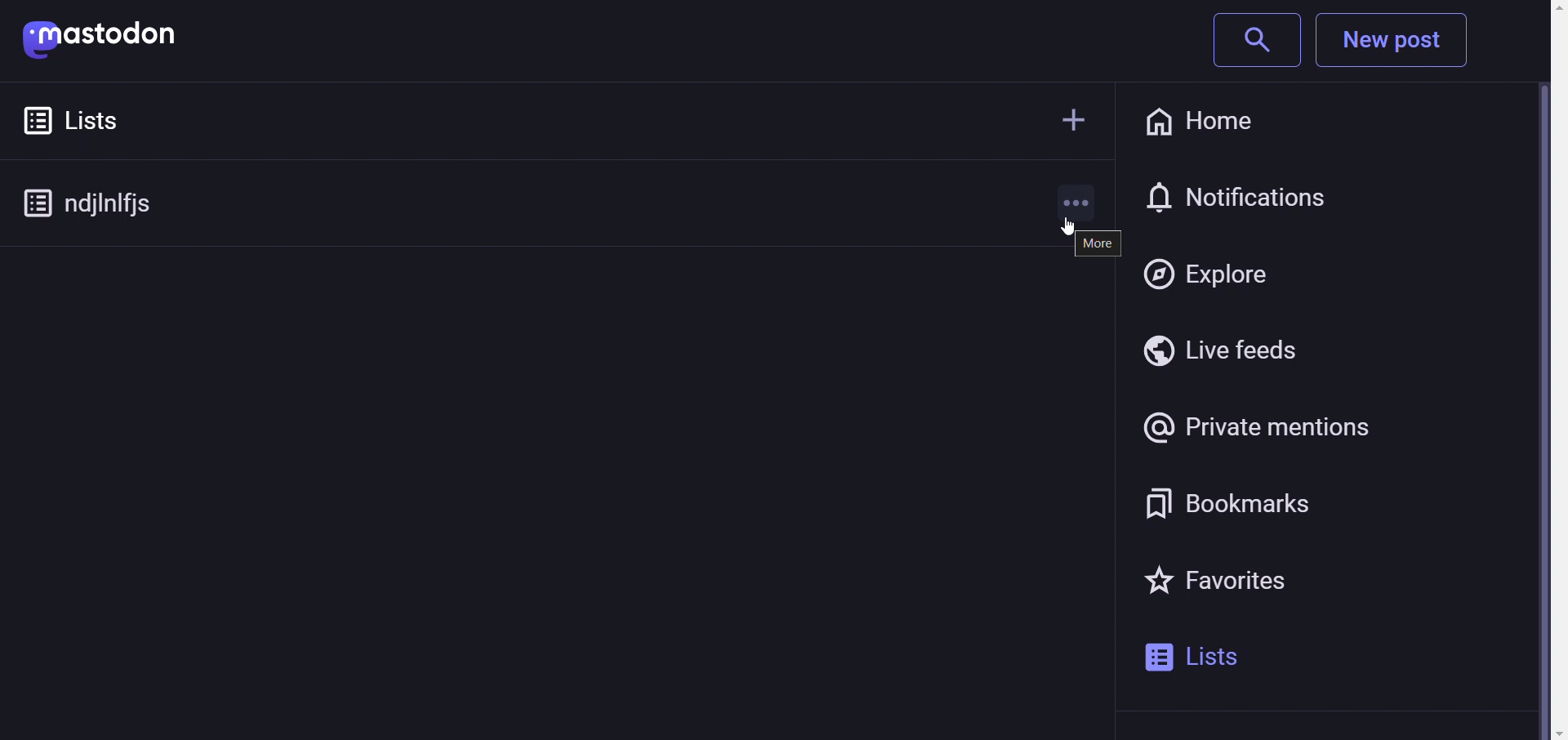  Describe the element at coordinates (1267, 426) in the screenshot. I see `private mentions` at that location.